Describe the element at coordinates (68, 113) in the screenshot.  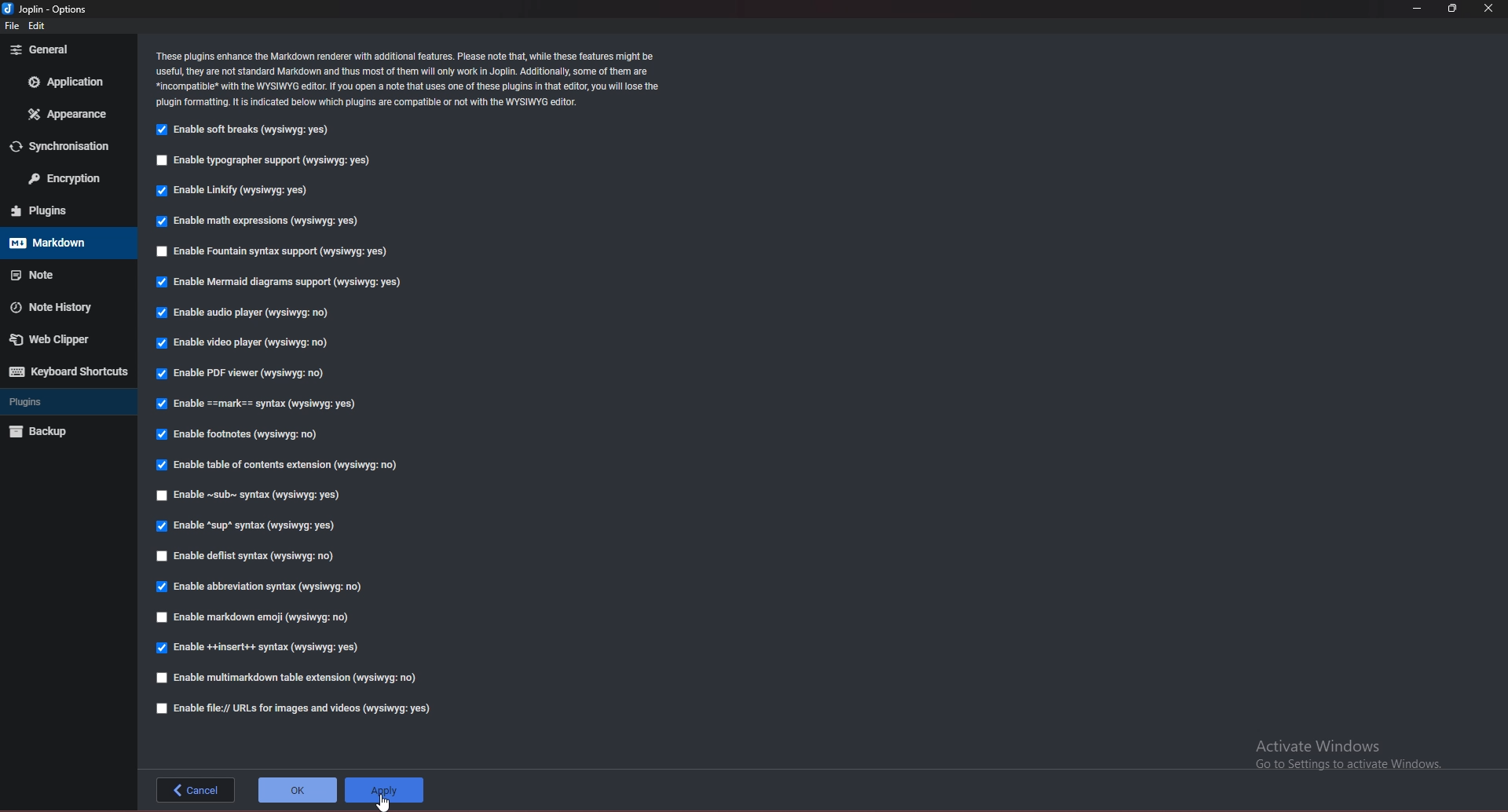
I see `appearance` at that location.